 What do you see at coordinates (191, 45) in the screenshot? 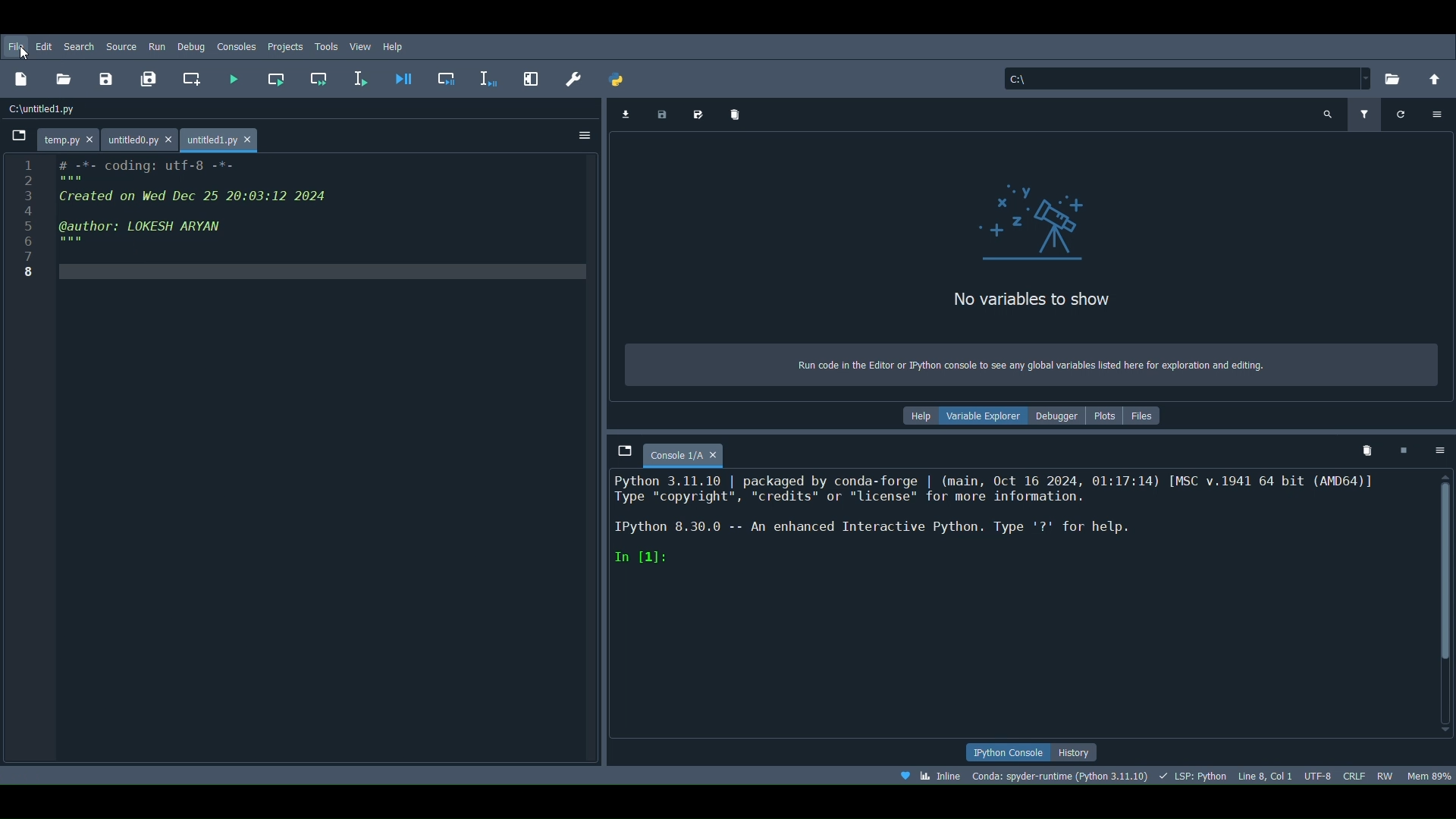
I see `Debug` at bounding box center [191, 45].